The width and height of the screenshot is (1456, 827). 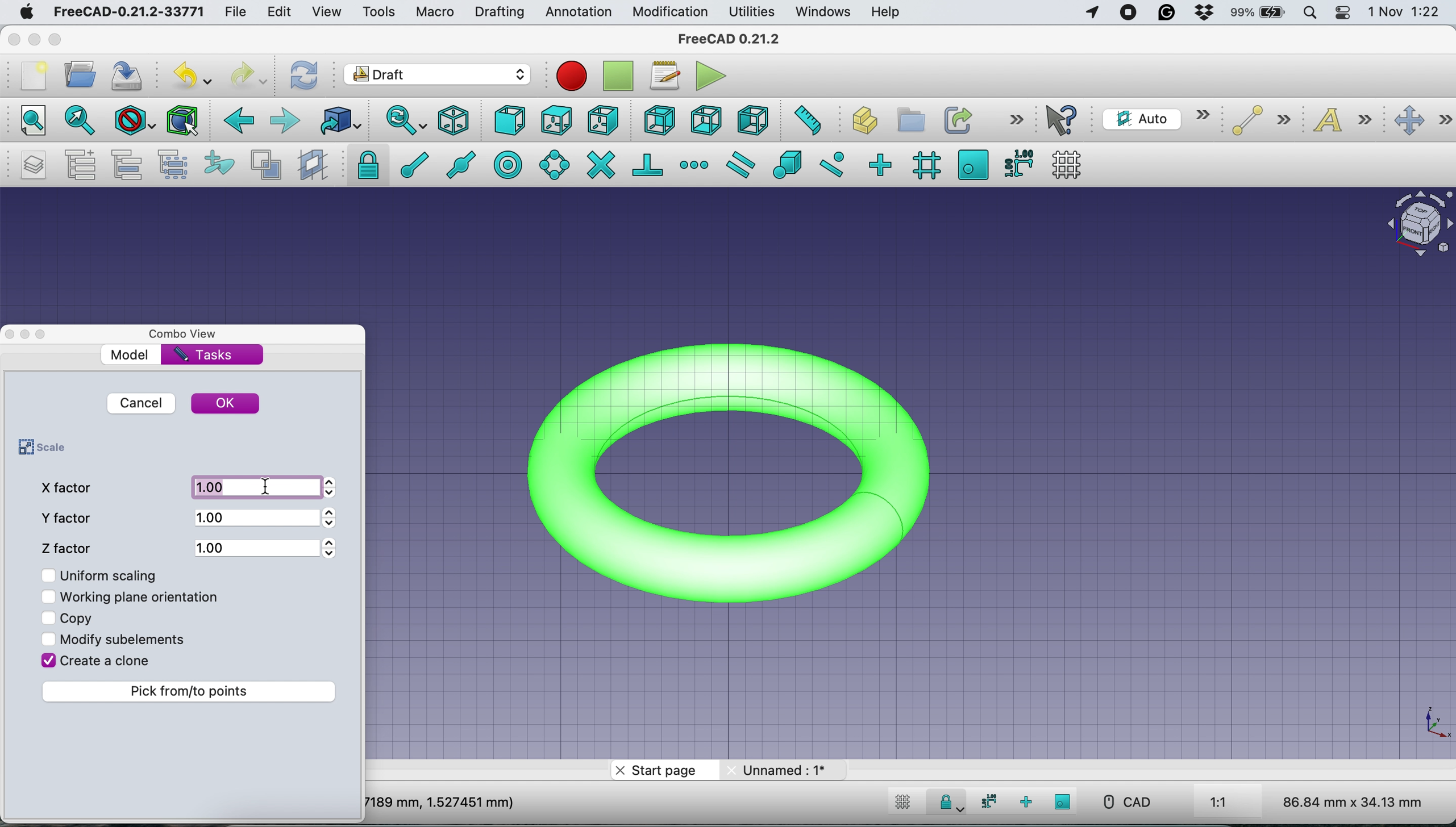 What do you see at coordinates (311, 164) in the screenshot?
I see `create working plane proxy` at bounding box center [311, 164].